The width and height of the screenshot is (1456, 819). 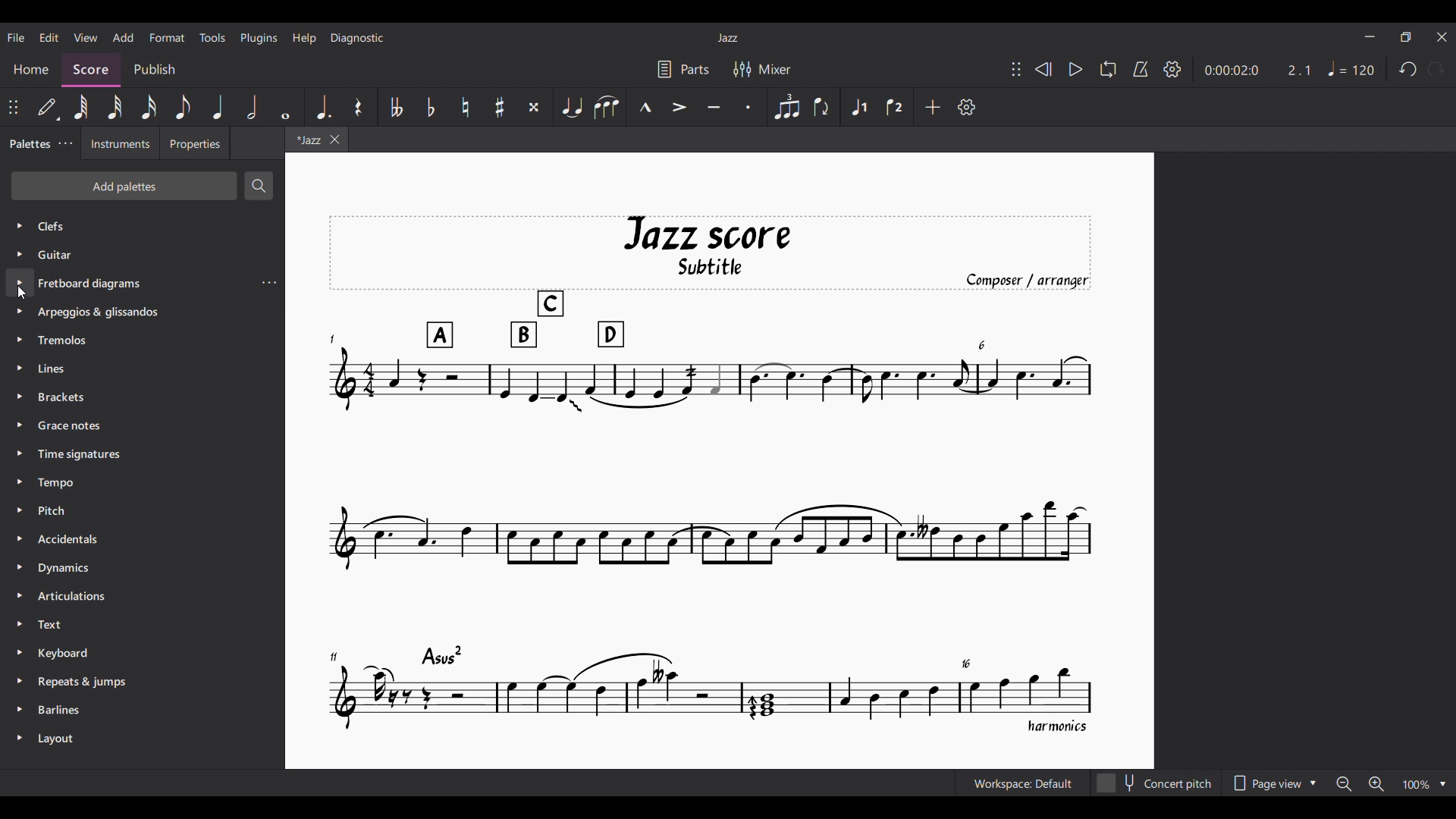 What do you see at coordinates (64, 569) in the screenshot?
I see `Dynamics` at bounding box center [64, 569].